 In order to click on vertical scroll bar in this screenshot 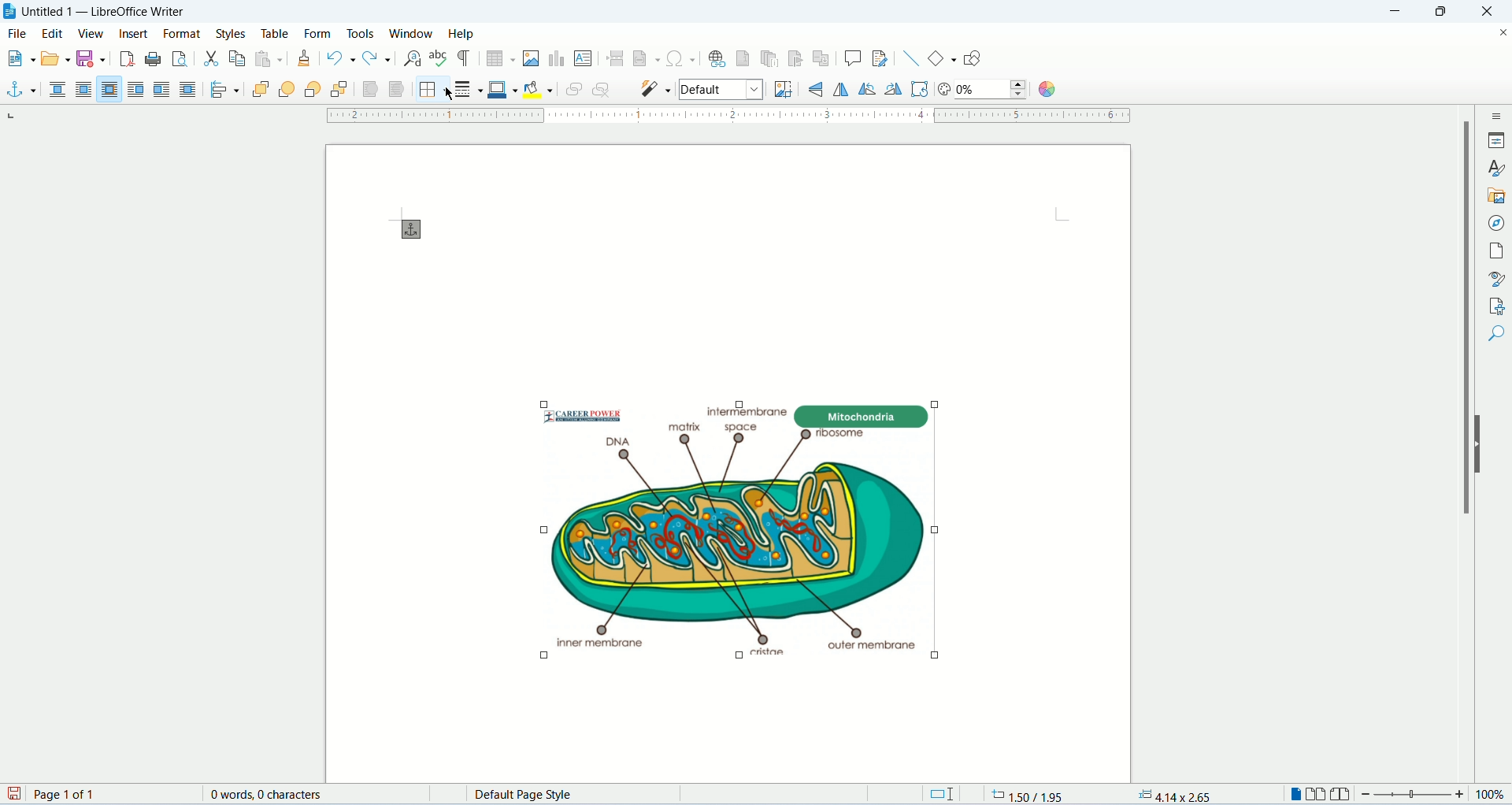, I will do `click(1457, 444)`.